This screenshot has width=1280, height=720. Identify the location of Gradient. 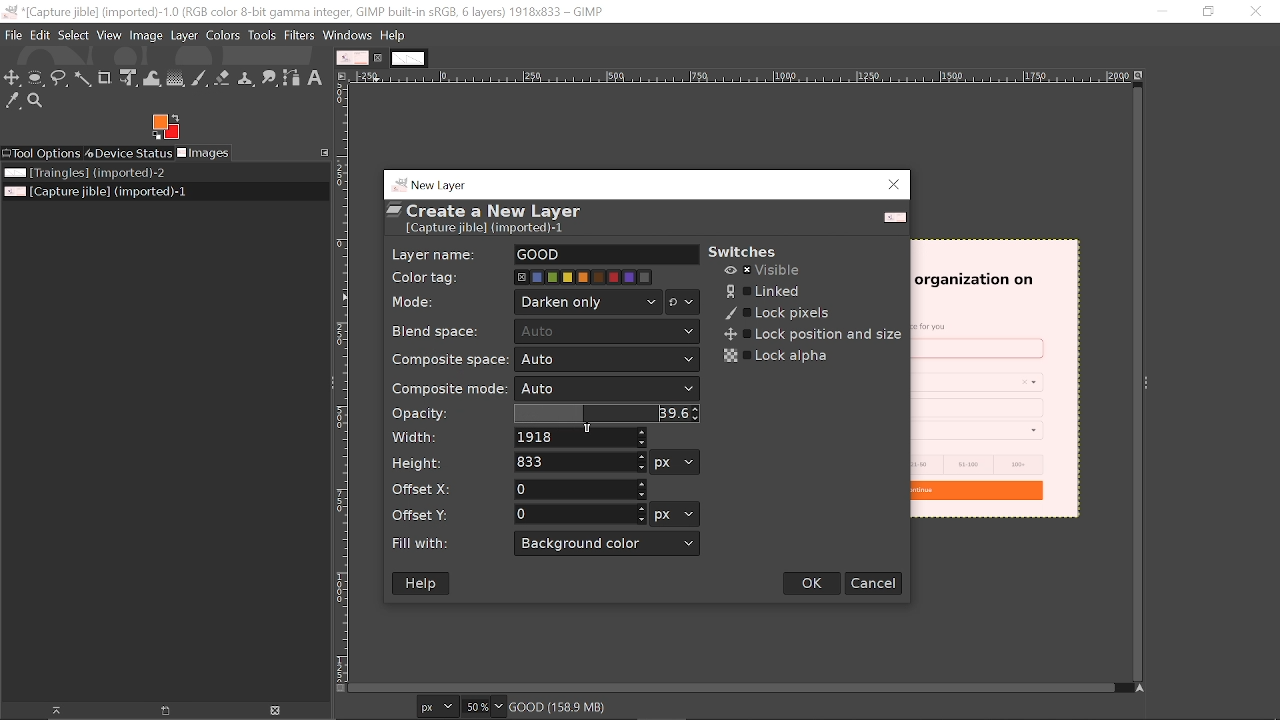
(175, 78).